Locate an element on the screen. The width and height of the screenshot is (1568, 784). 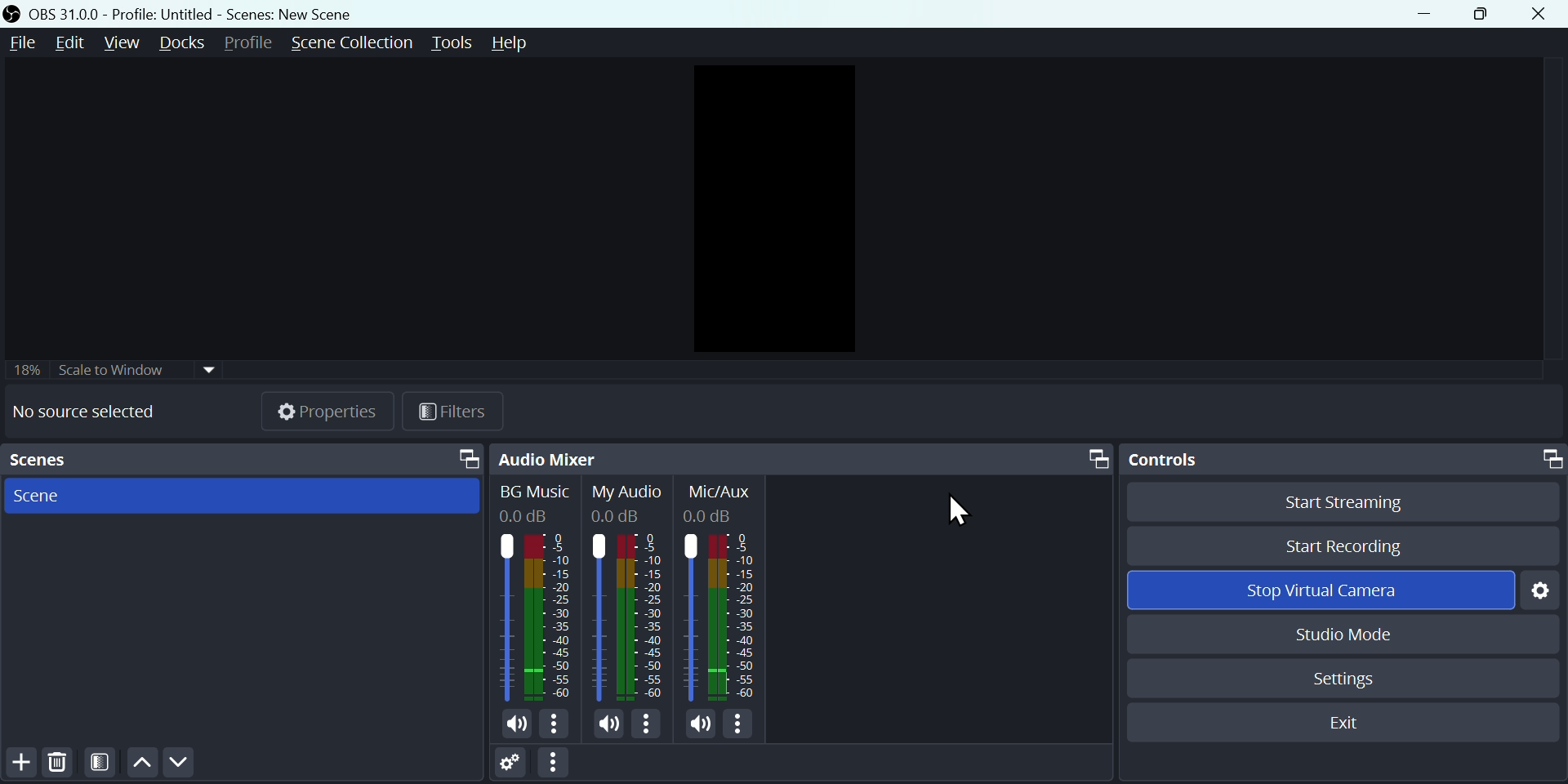
Audio mixer is located at coordinates (802, 457).